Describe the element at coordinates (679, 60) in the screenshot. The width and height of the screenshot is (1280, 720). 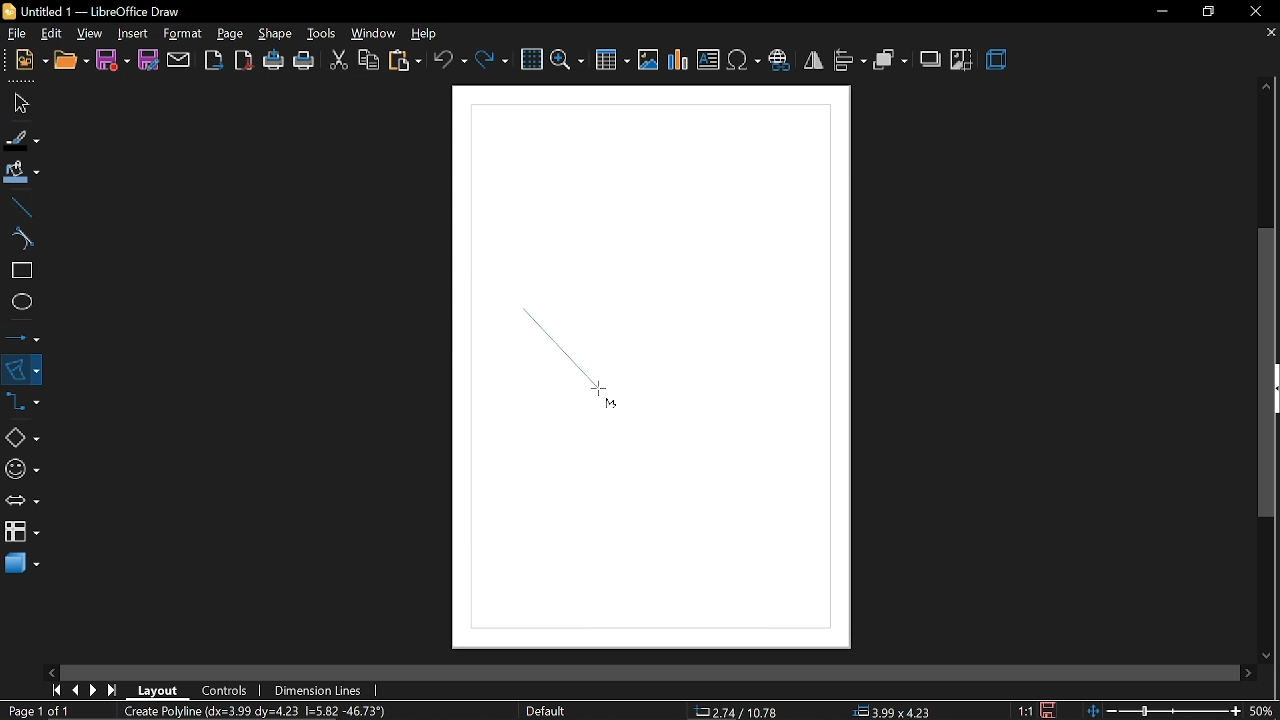
I see `insert chart` at that location.